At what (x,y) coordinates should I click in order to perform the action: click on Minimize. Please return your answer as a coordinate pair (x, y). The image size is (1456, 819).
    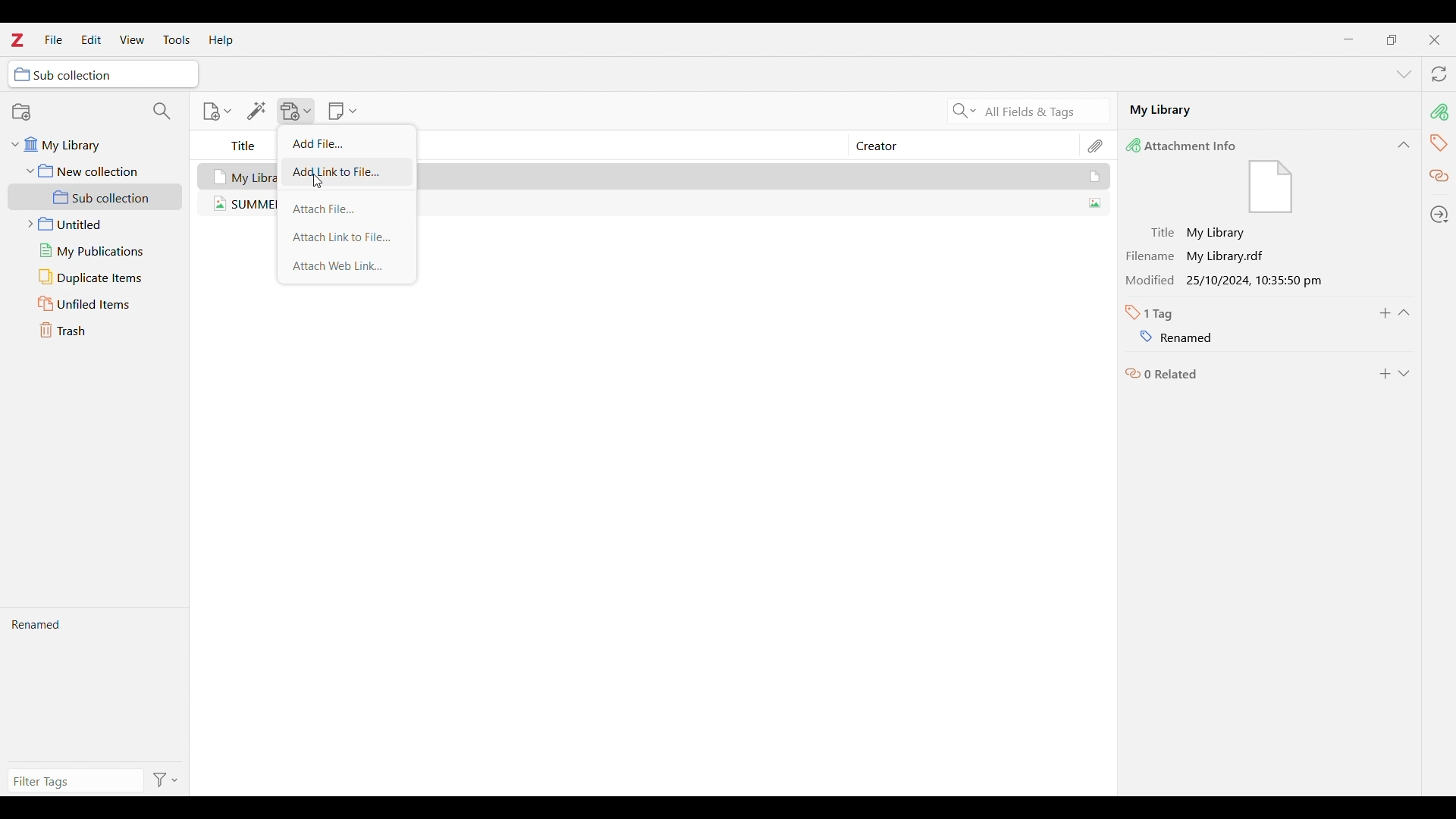
    Looking at the image, I should click on (1348, 39).